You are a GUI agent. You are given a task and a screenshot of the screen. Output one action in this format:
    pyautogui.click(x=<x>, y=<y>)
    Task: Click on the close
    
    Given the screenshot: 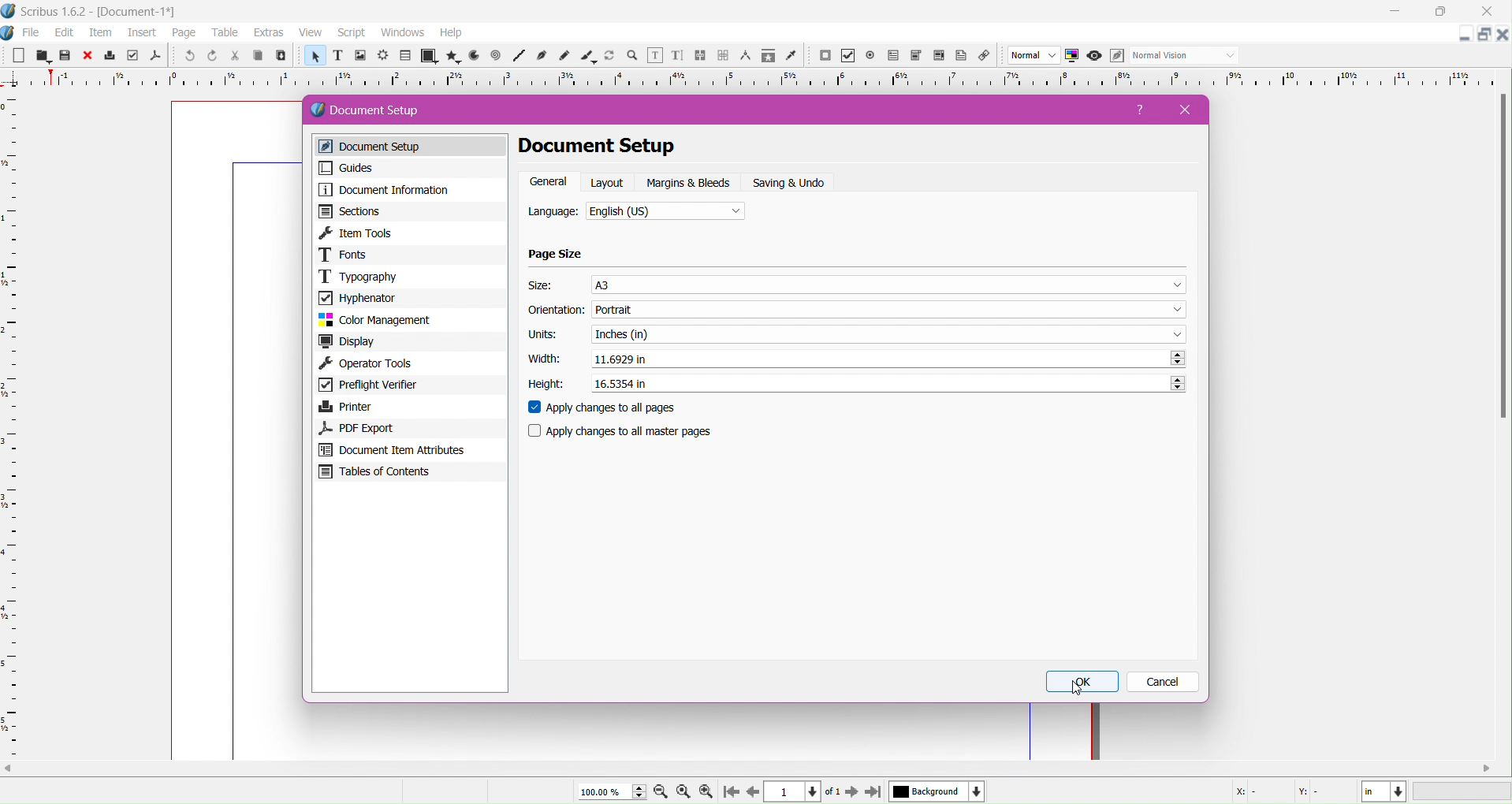 What is the action you would take?
    pyautogui.click(x=88, y=56)
    